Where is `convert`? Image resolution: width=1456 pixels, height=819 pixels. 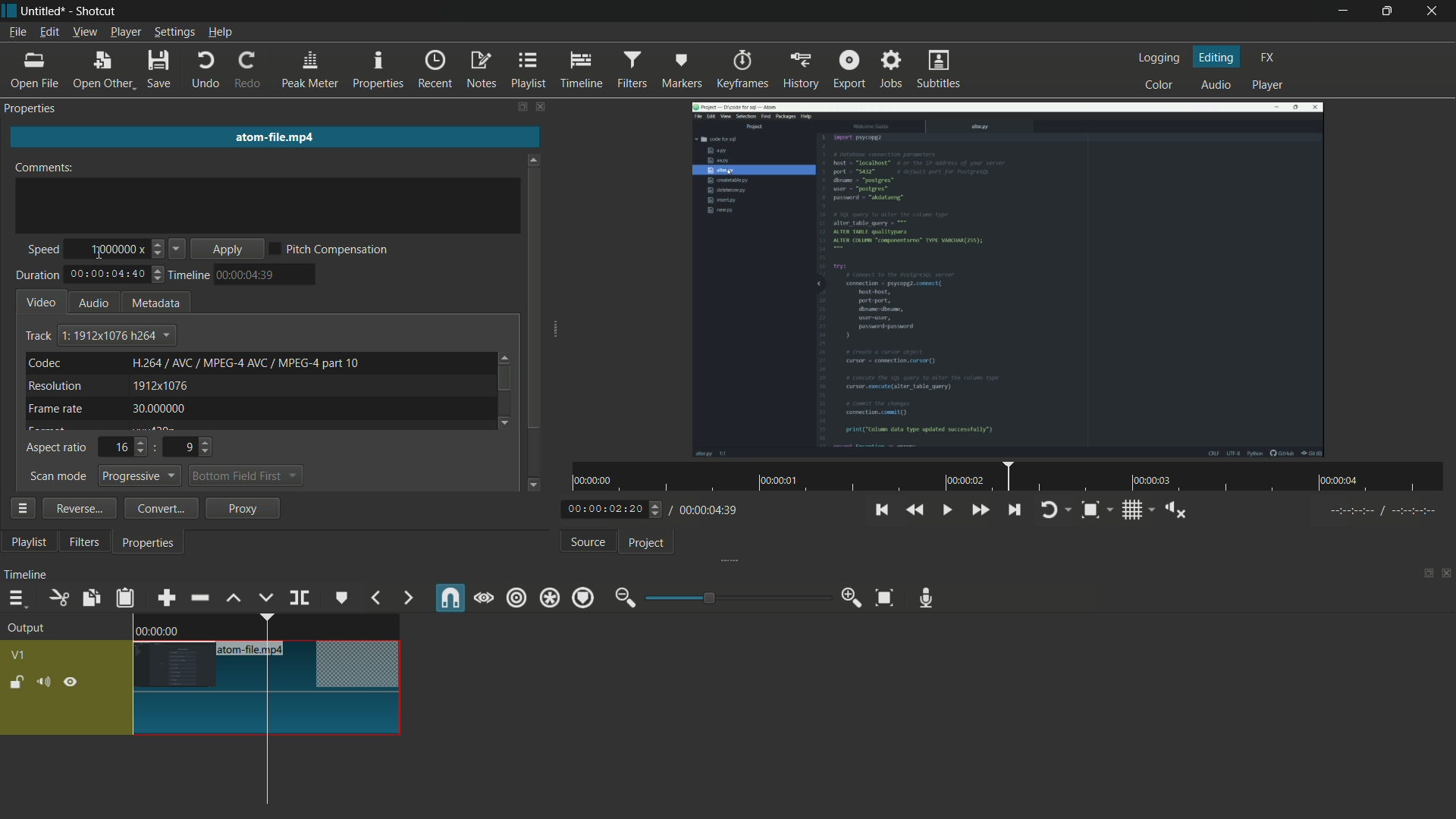
convert is located at coordinates (162, 507).